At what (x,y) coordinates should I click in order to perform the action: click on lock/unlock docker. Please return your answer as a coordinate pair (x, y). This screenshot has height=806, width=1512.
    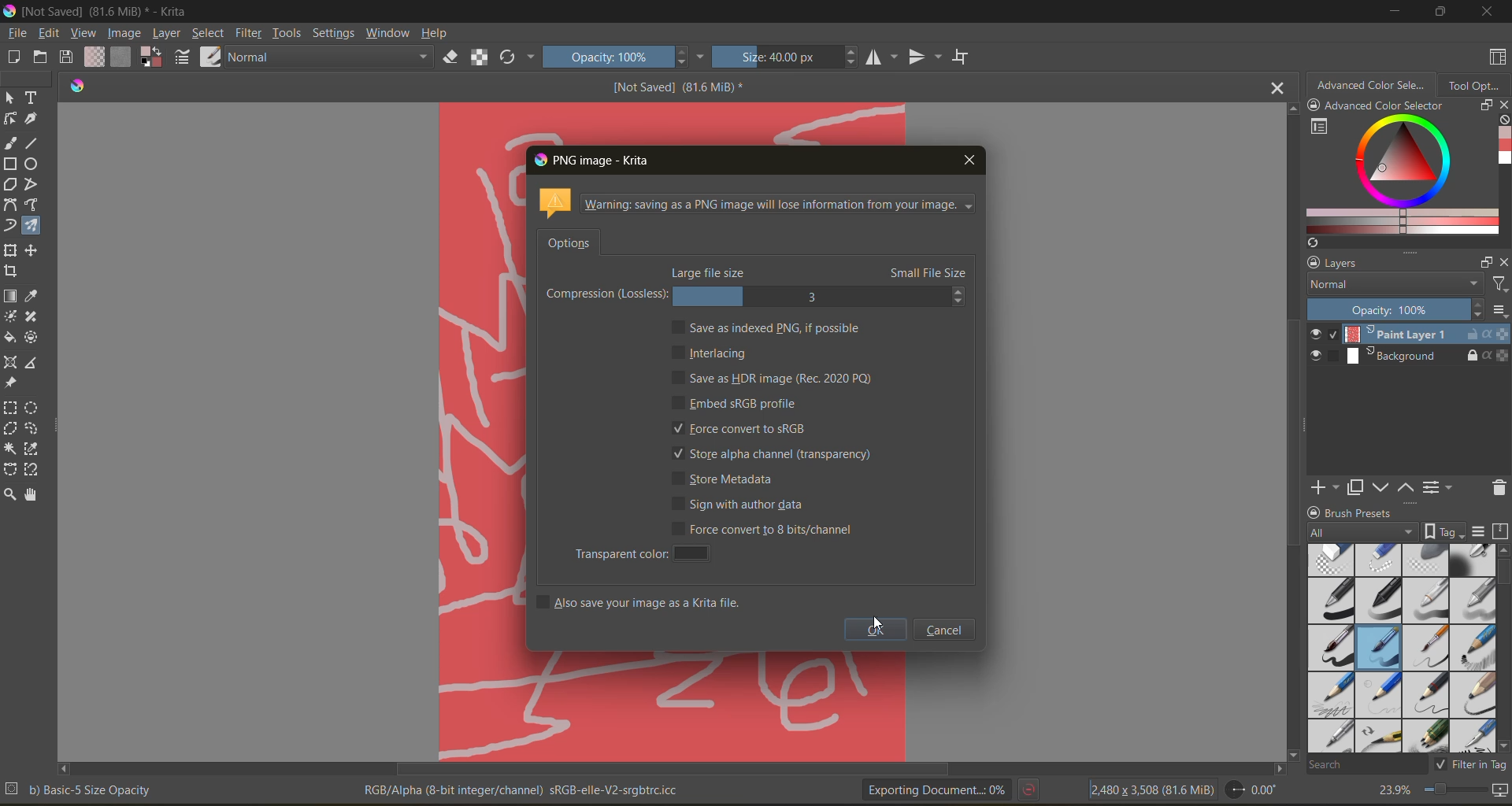
    Looking at the image, I should click on (1316, 511).